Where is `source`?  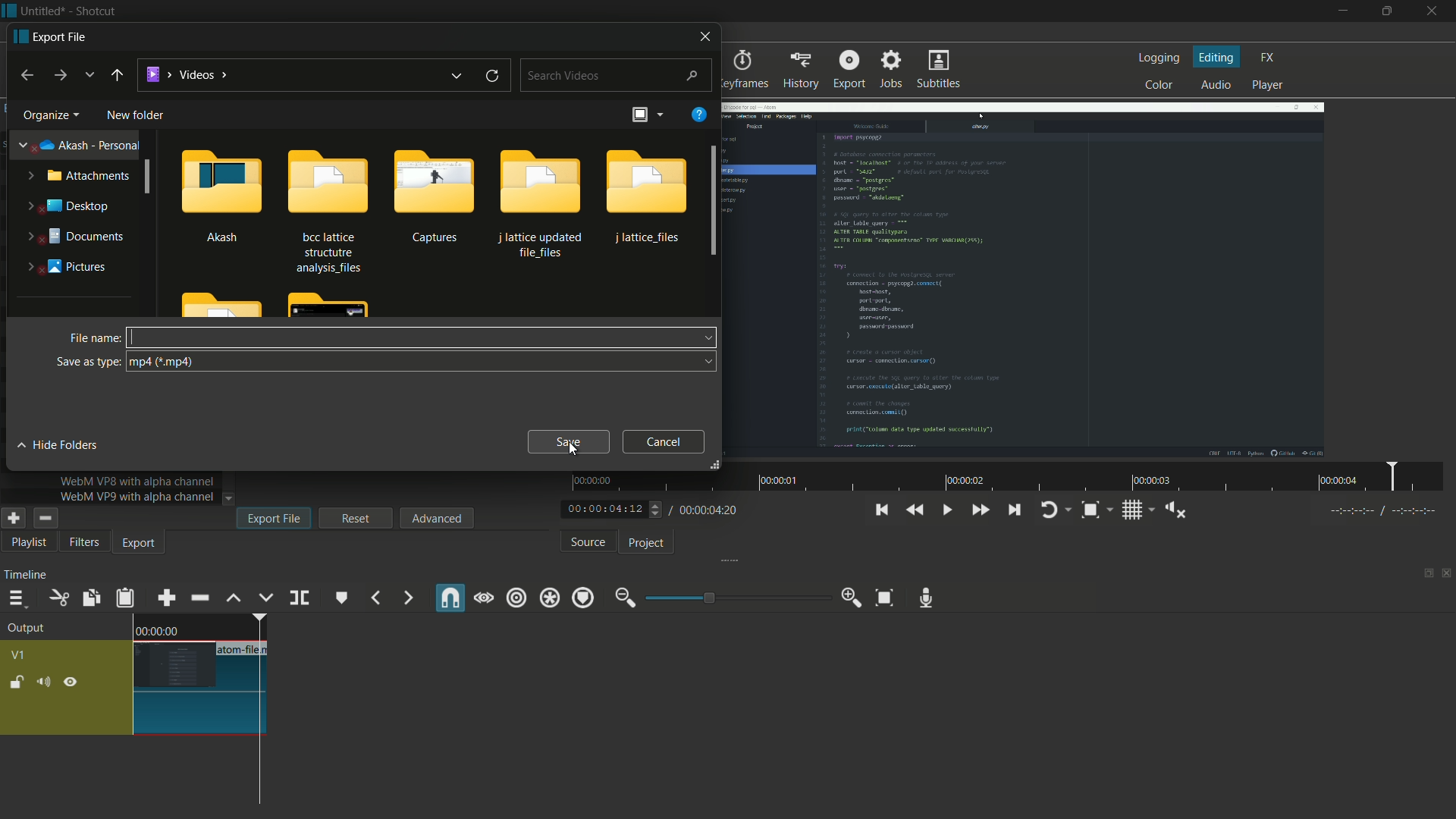
source is located at coordinates (588, 543).